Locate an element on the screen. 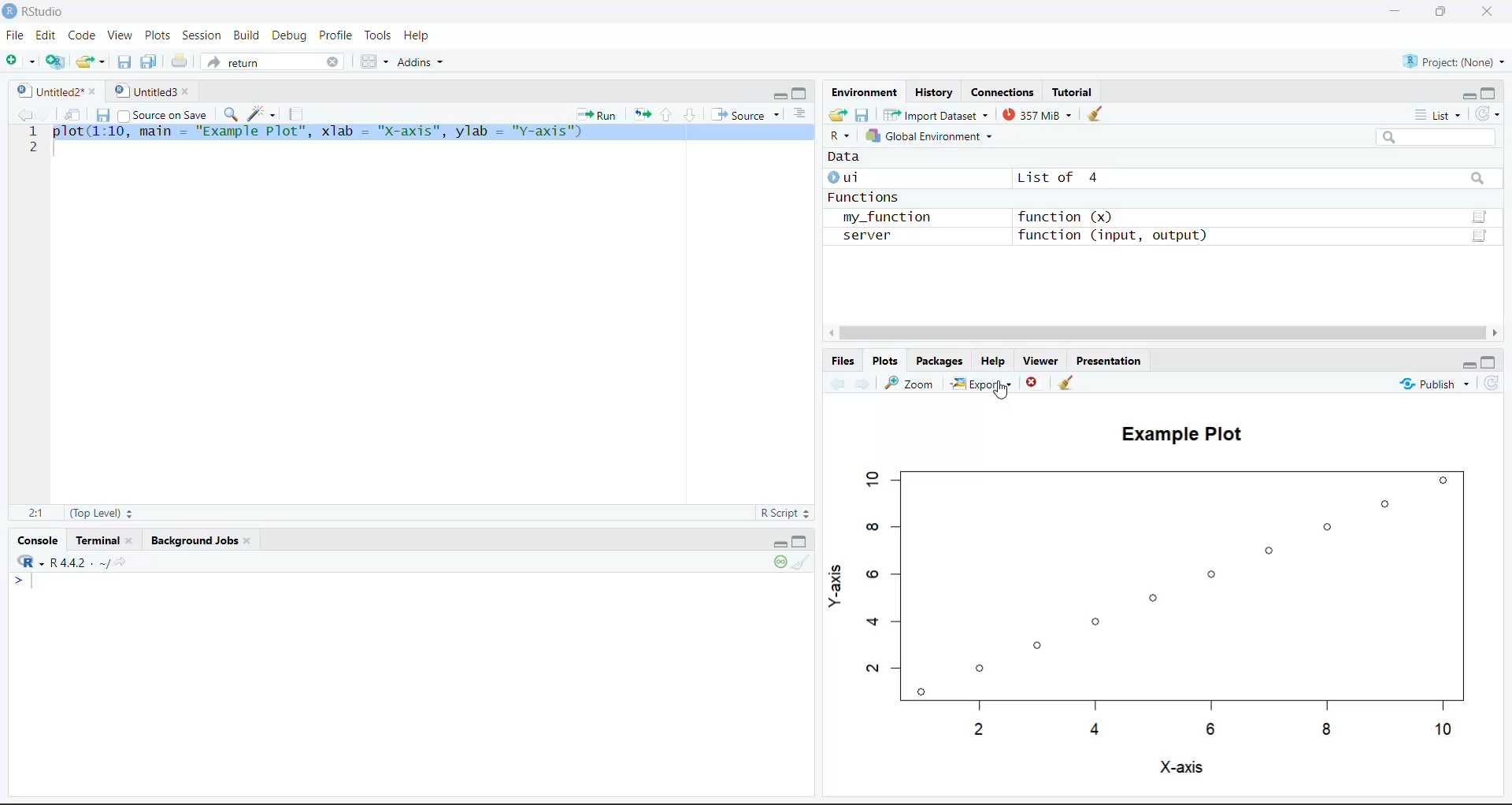 The height and width of the screenshot is (805, 1512). plot(1:10, main = "Example Plot", xlab = "X-axis", ylab = "y-axis") is located at coordinates (432, 132).